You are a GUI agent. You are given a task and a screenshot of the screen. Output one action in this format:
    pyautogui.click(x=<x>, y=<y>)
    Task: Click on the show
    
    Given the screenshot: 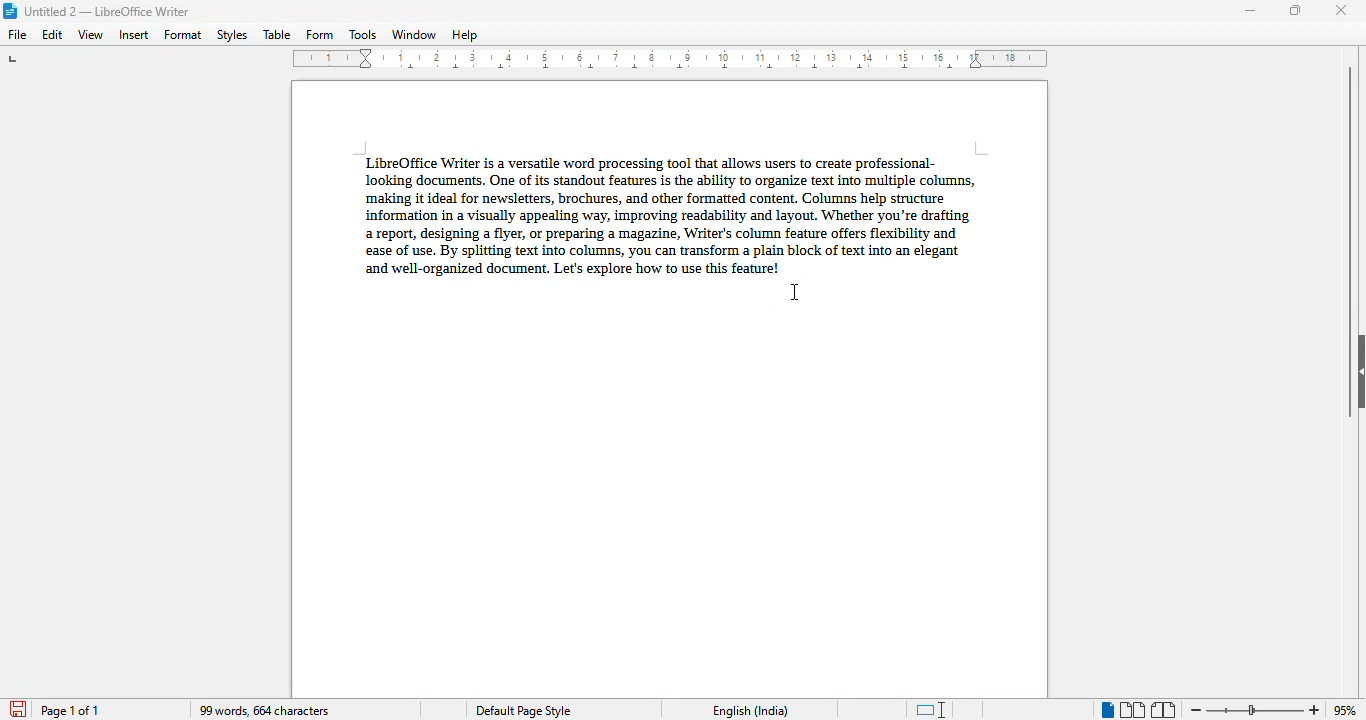 What is the action you would take?
    pyautogui.click(x=1357, y=371)
    